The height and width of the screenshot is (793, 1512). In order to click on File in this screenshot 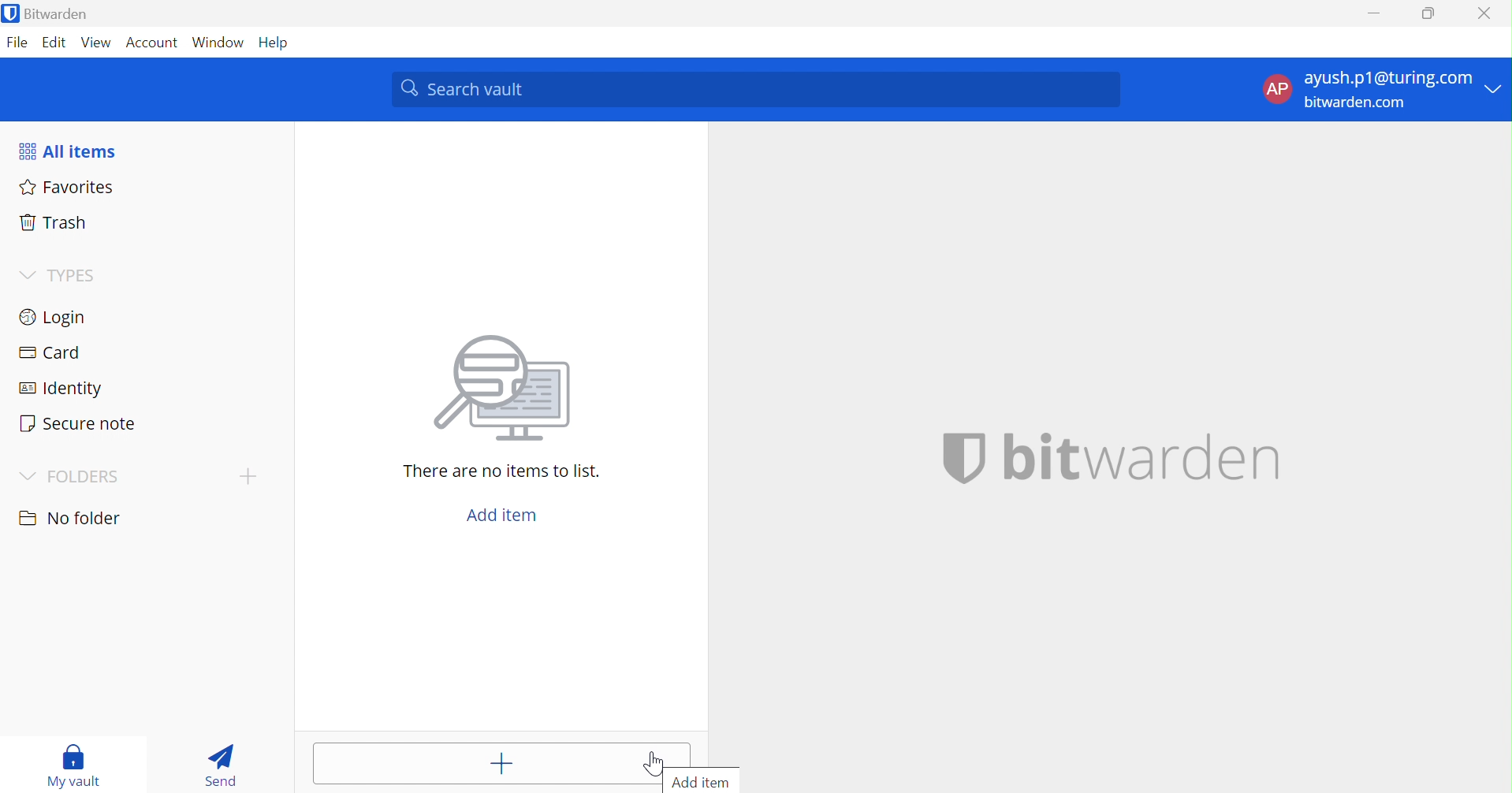, I will do `click(18, 43)`.